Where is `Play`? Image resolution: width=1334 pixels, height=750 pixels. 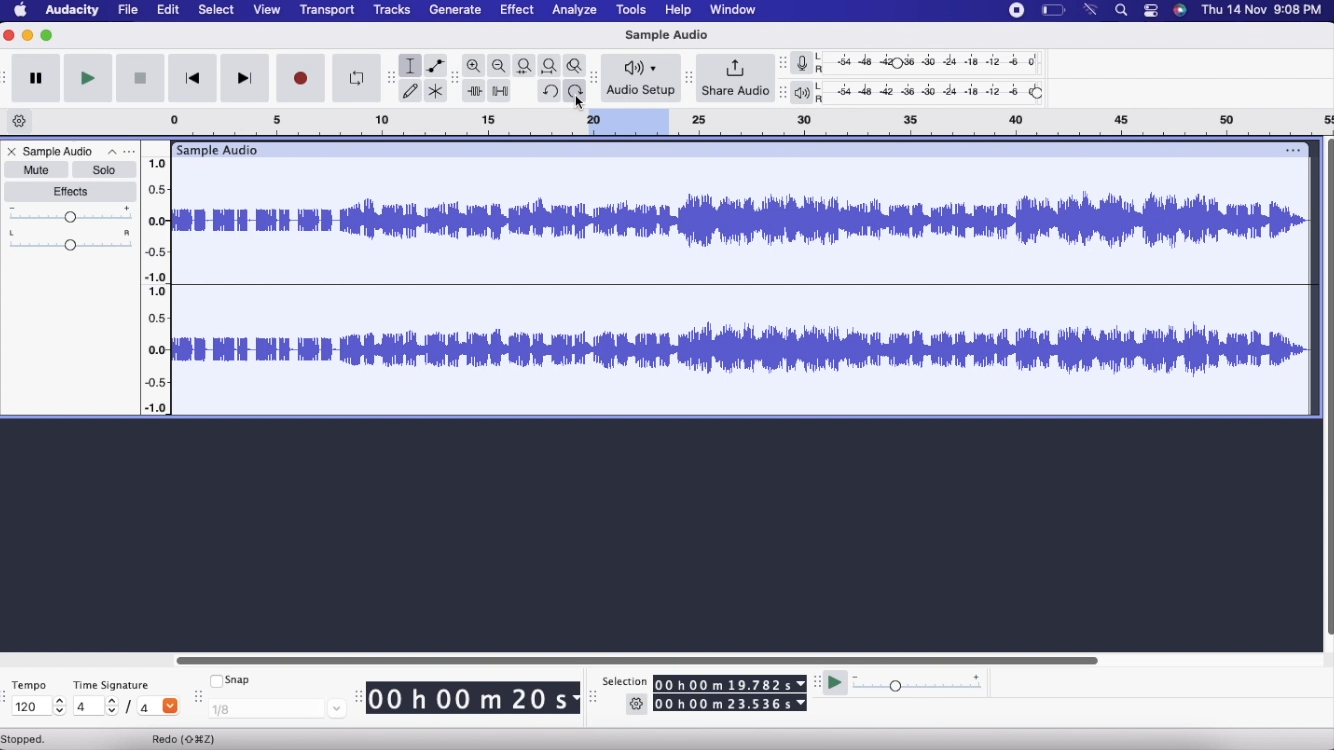 Play is located at coordinates (88, 78).